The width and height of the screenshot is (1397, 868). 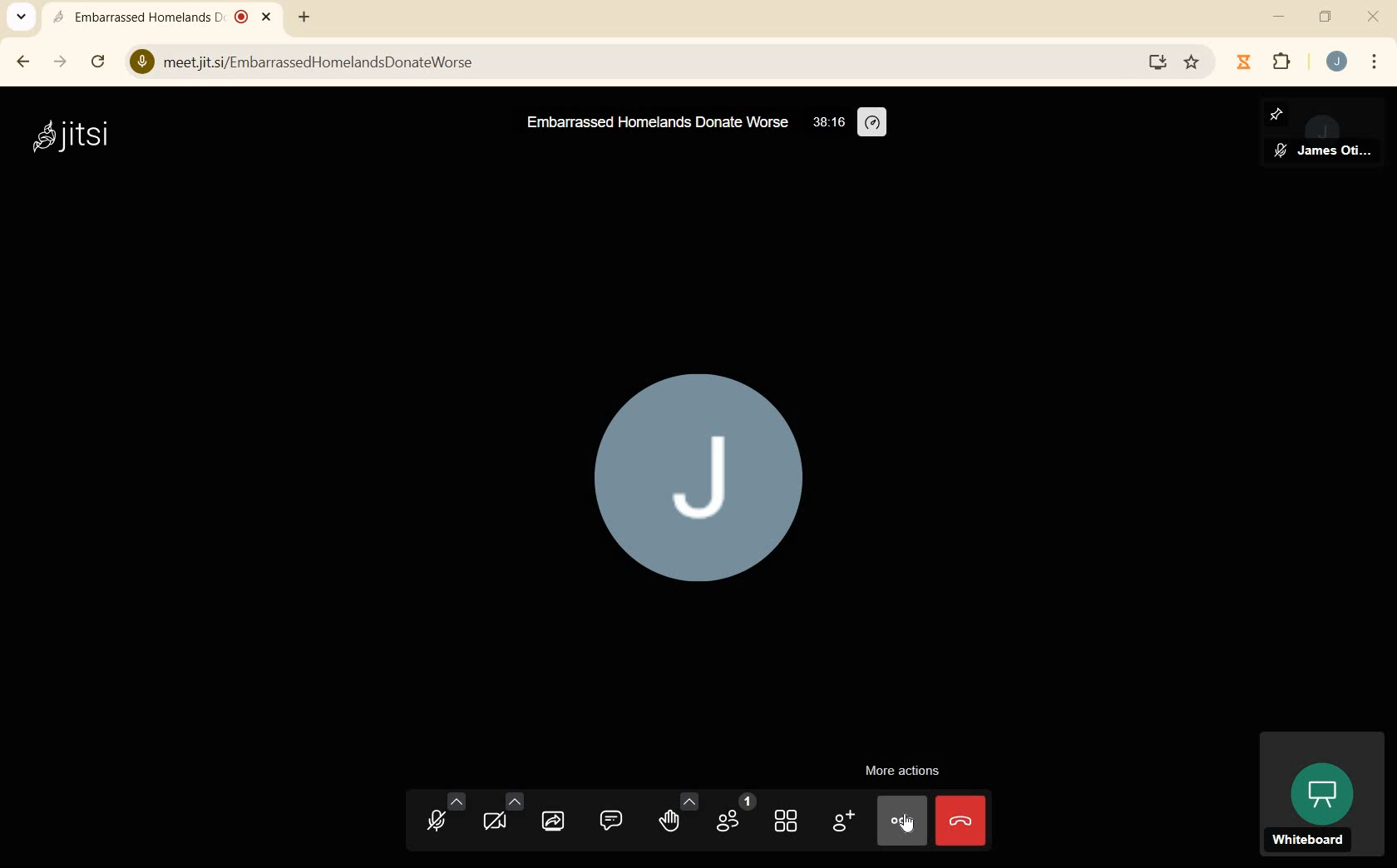 I want to click on cursor, so click(x=911, y=823).